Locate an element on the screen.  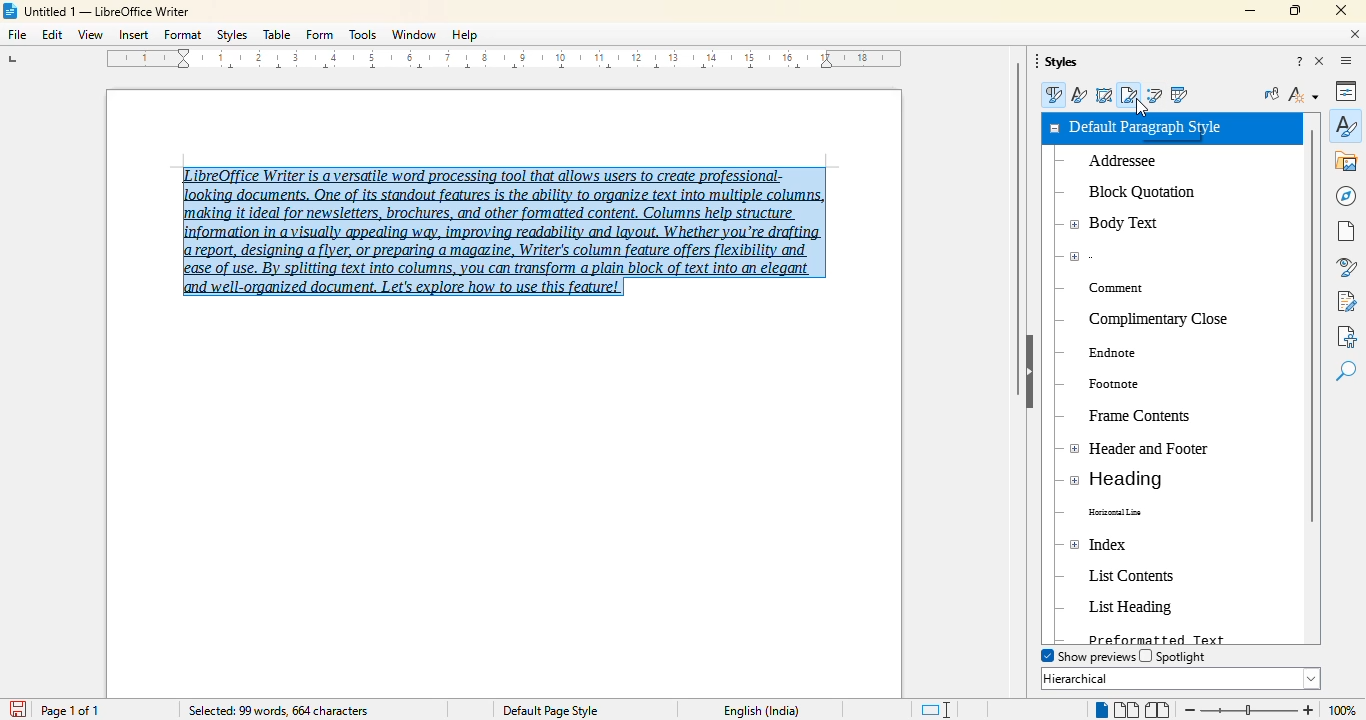
cursor is located at coordinates (1142, 109).